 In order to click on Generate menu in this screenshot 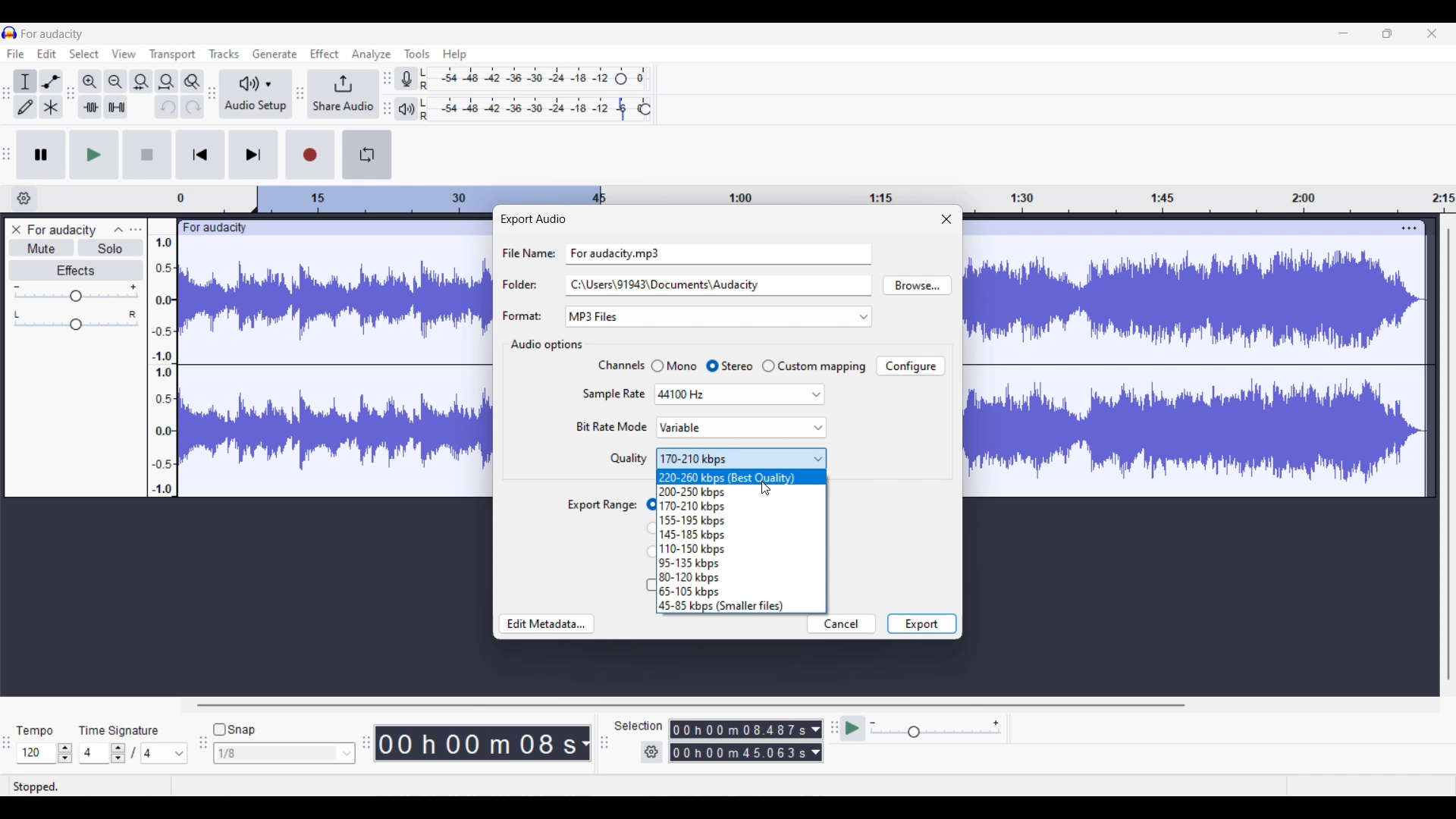, I will do `click(275, 54)`.